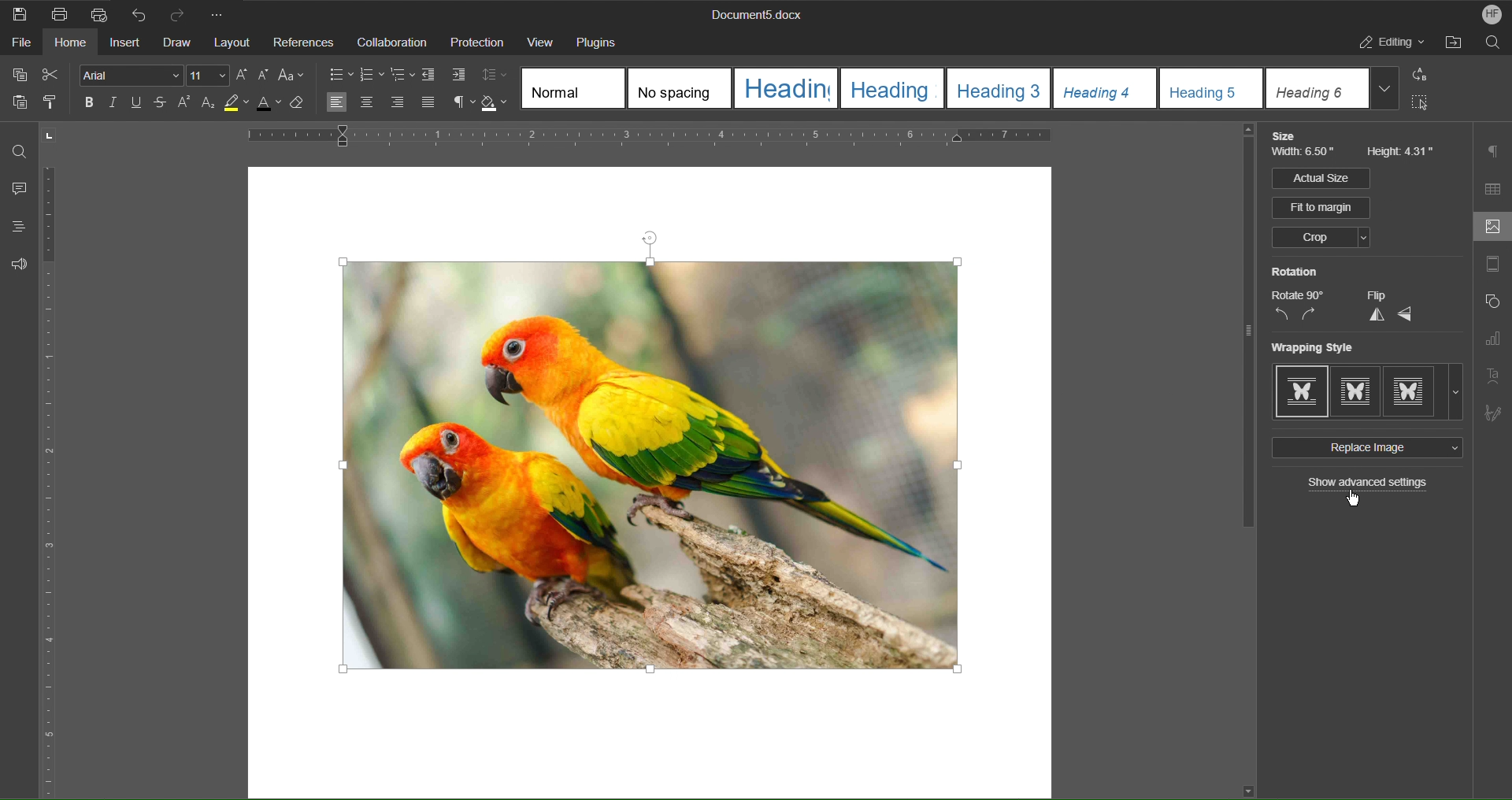 The width and height of the screenshot is (1512, 800). I want to click on Alignment, so click(380, 103).